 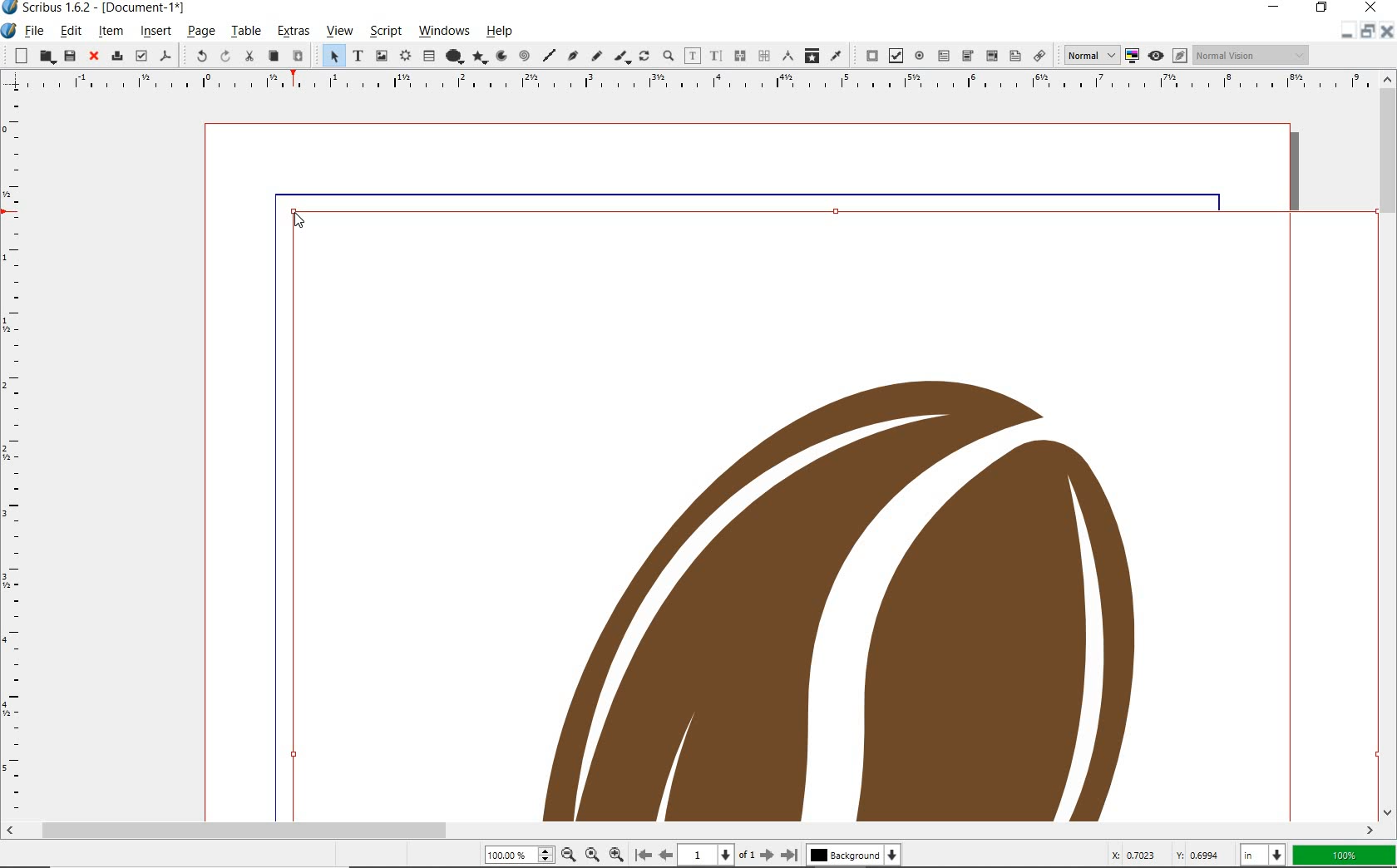 I want to click on open, so click(x=46, y=56).